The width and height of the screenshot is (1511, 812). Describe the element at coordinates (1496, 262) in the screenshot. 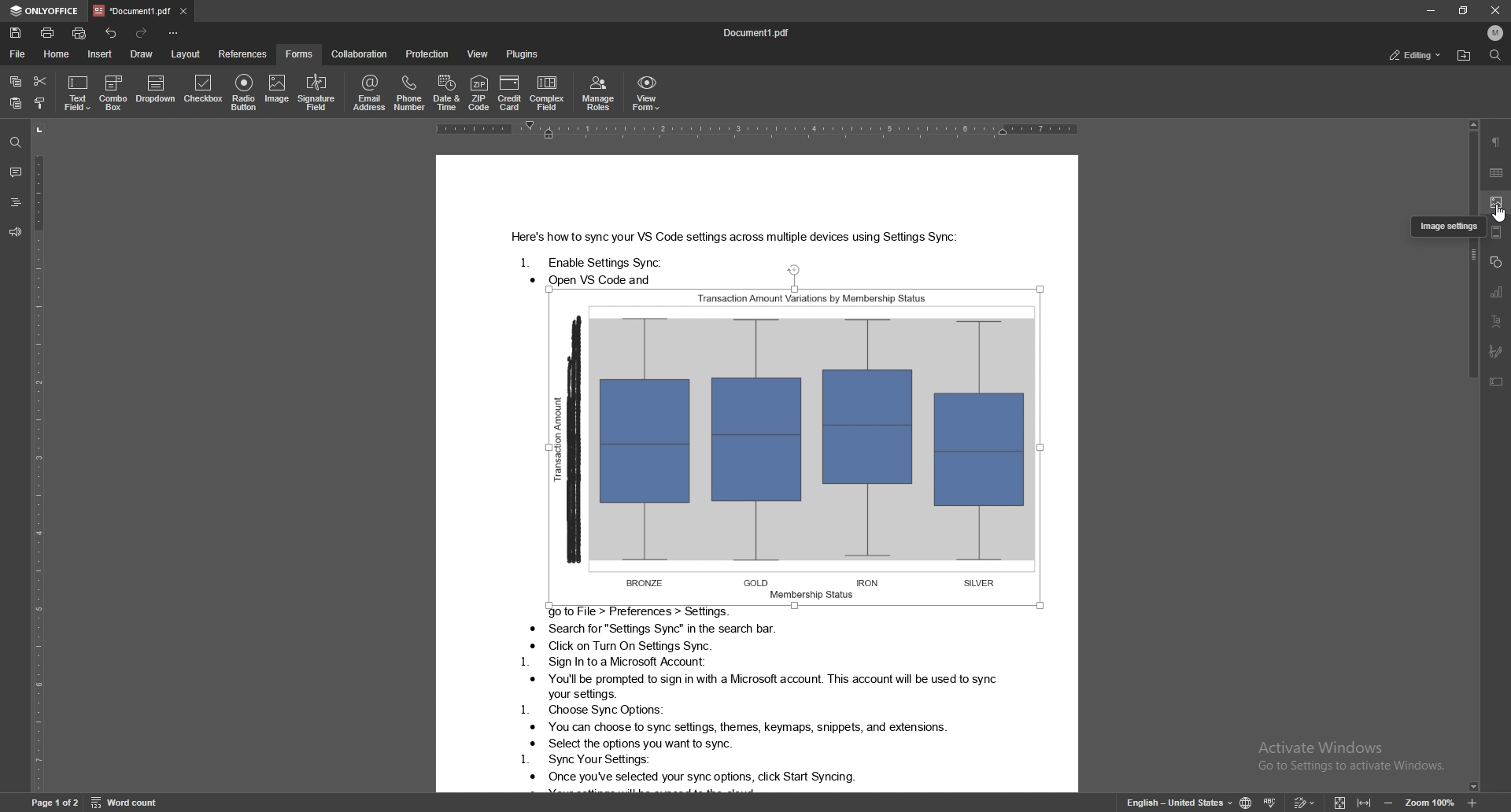

I see `shape` at that location.